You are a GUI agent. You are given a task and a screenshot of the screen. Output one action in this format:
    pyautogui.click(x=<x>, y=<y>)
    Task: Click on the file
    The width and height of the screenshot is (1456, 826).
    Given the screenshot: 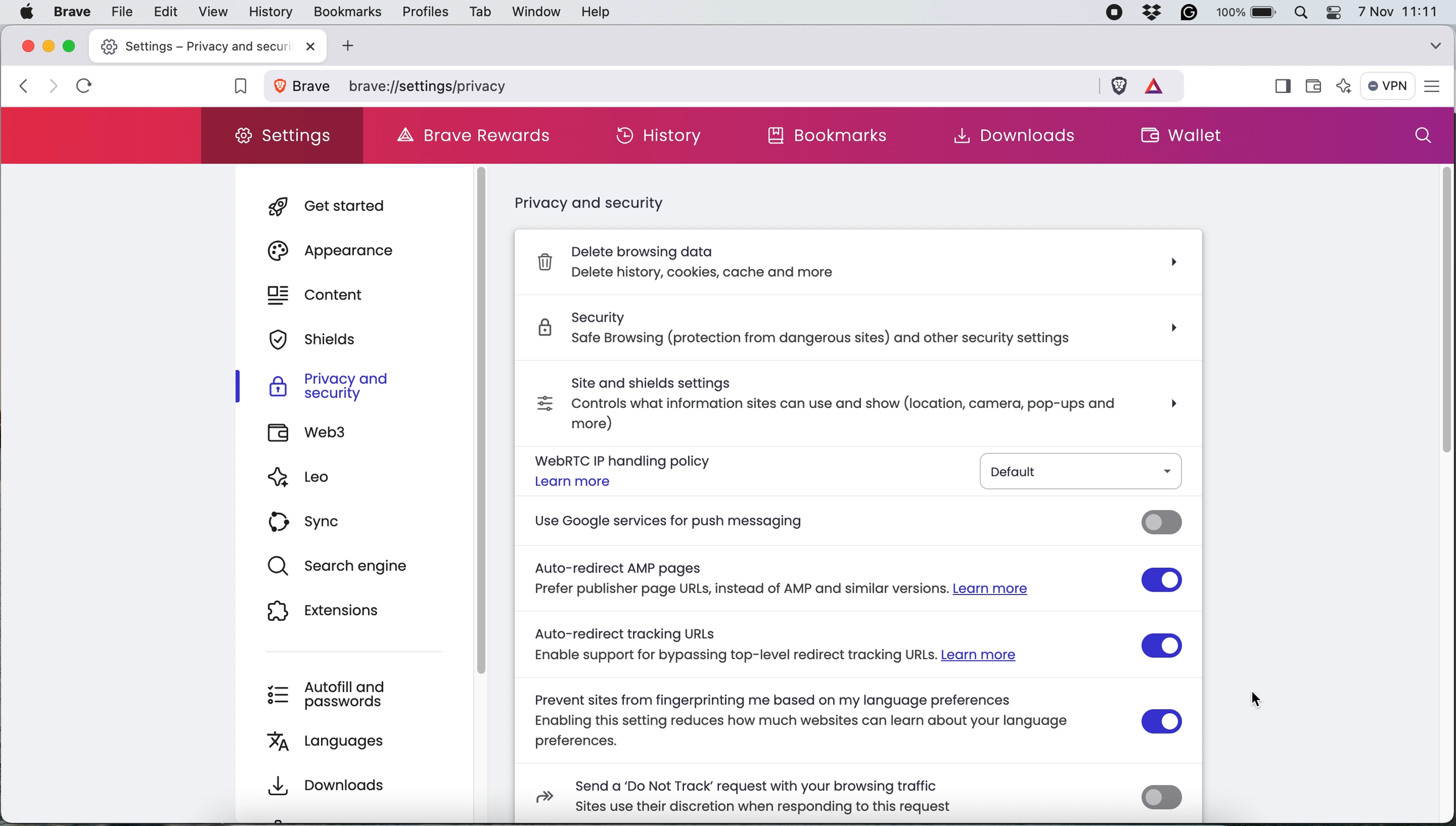 What is the action you would take?
    pyautogui.click(x=119, y=12)
    